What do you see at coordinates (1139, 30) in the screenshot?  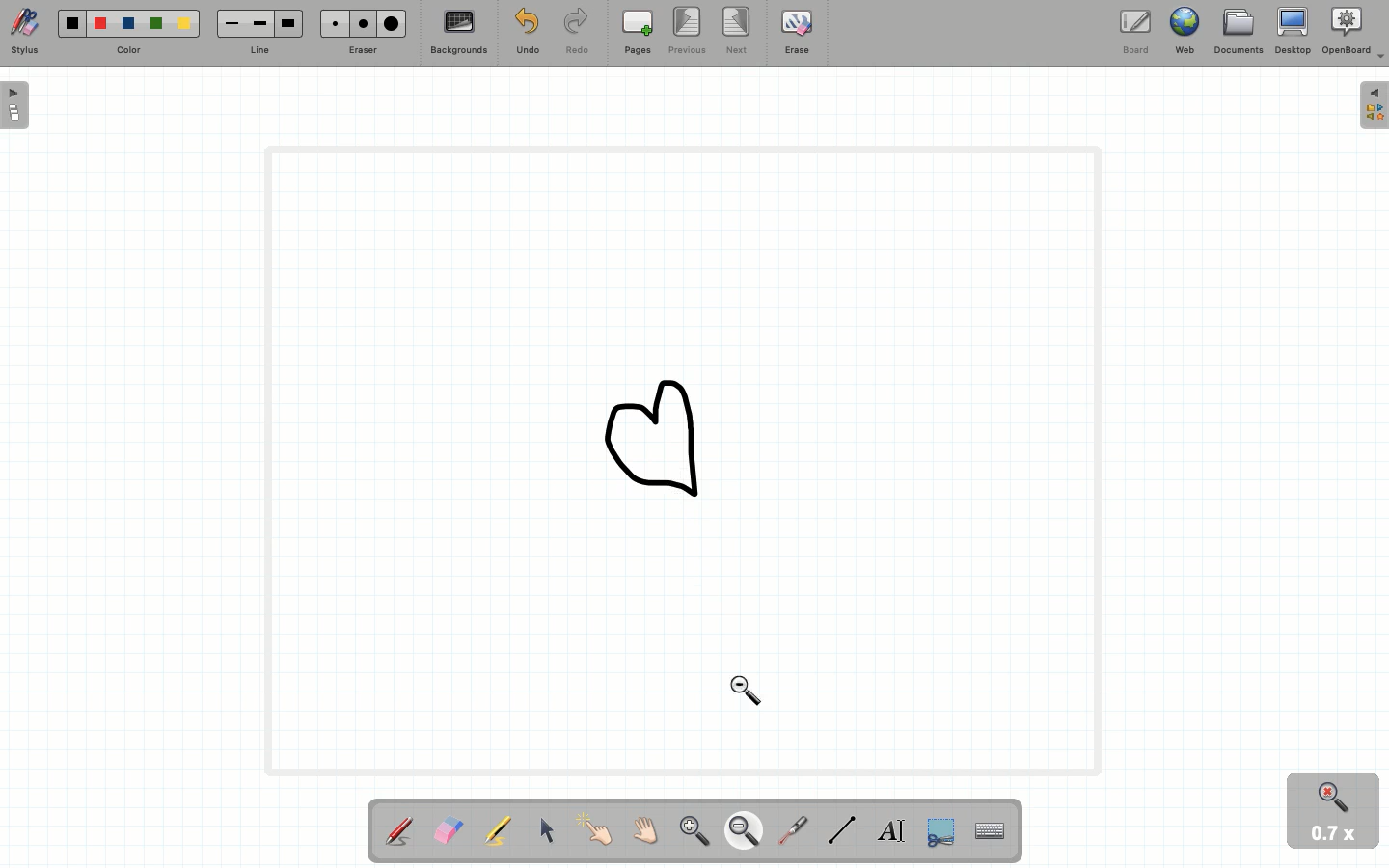 I see `Board` at bounding box center [1139, 30].